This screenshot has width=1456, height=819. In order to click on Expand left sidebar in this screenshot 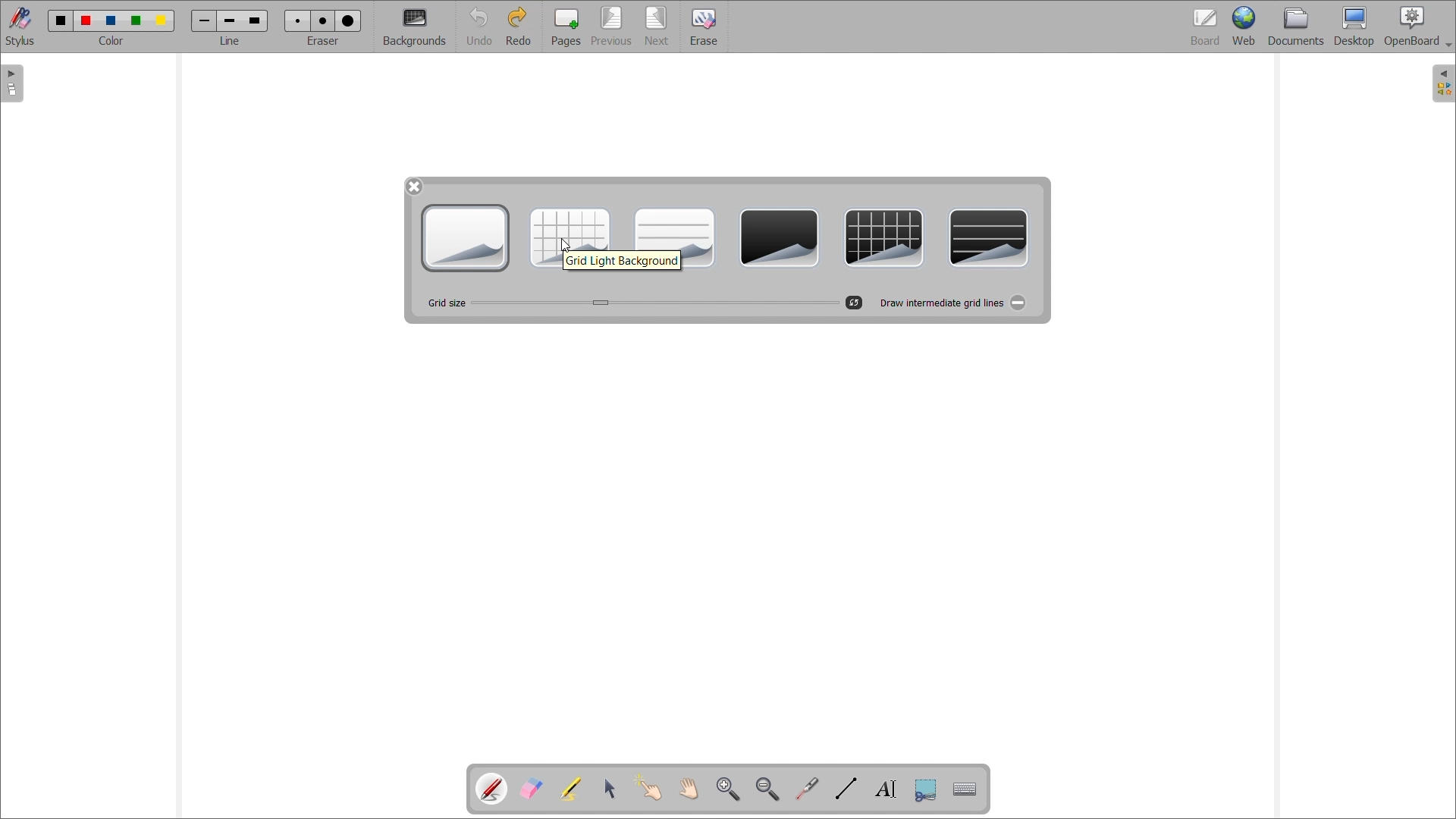, I will do `click(11, 84)`.